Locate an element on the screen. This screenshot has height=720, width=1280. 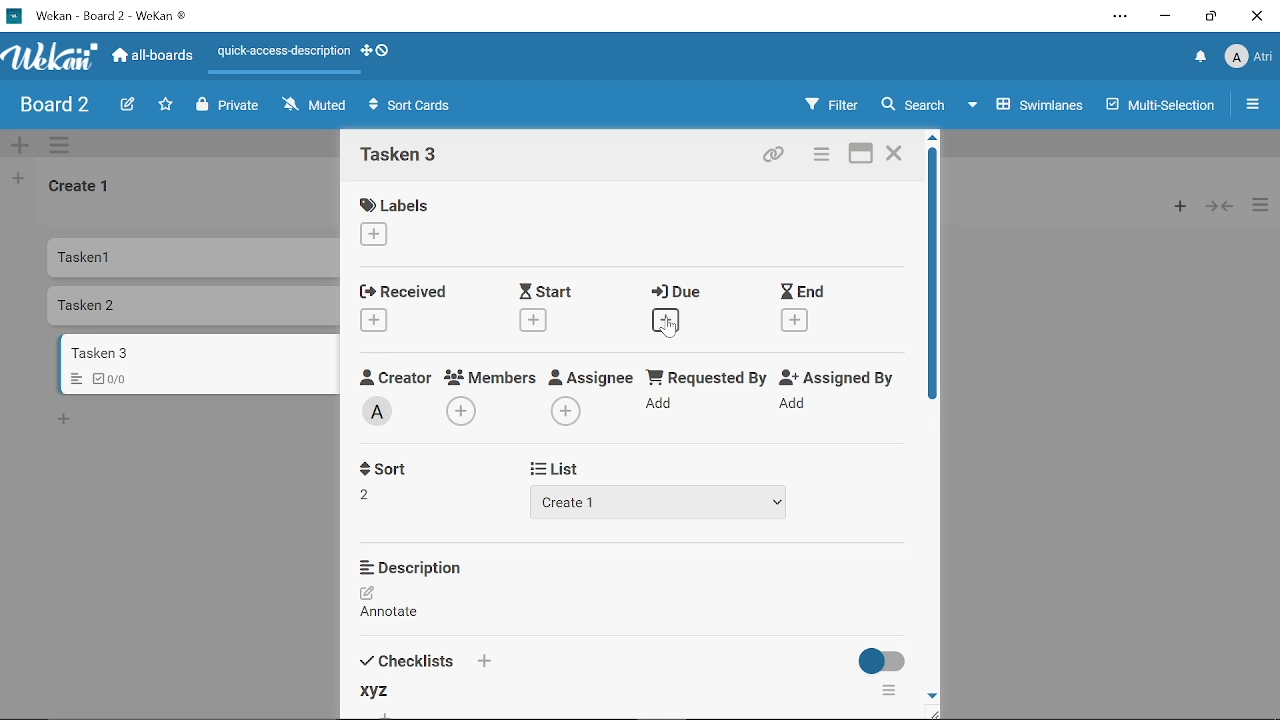
Description is located at coordinates (413, 567).